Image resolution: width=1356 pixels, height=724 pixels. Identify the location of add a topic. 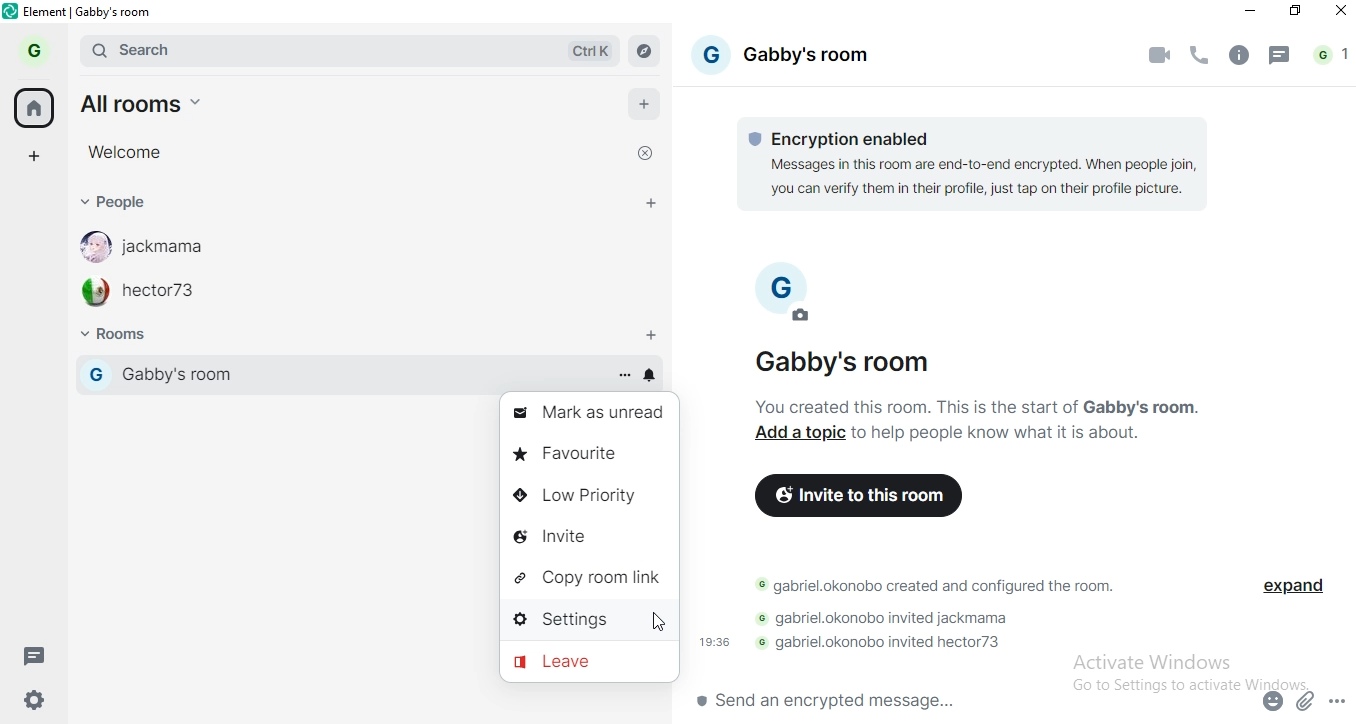
(801, 433).